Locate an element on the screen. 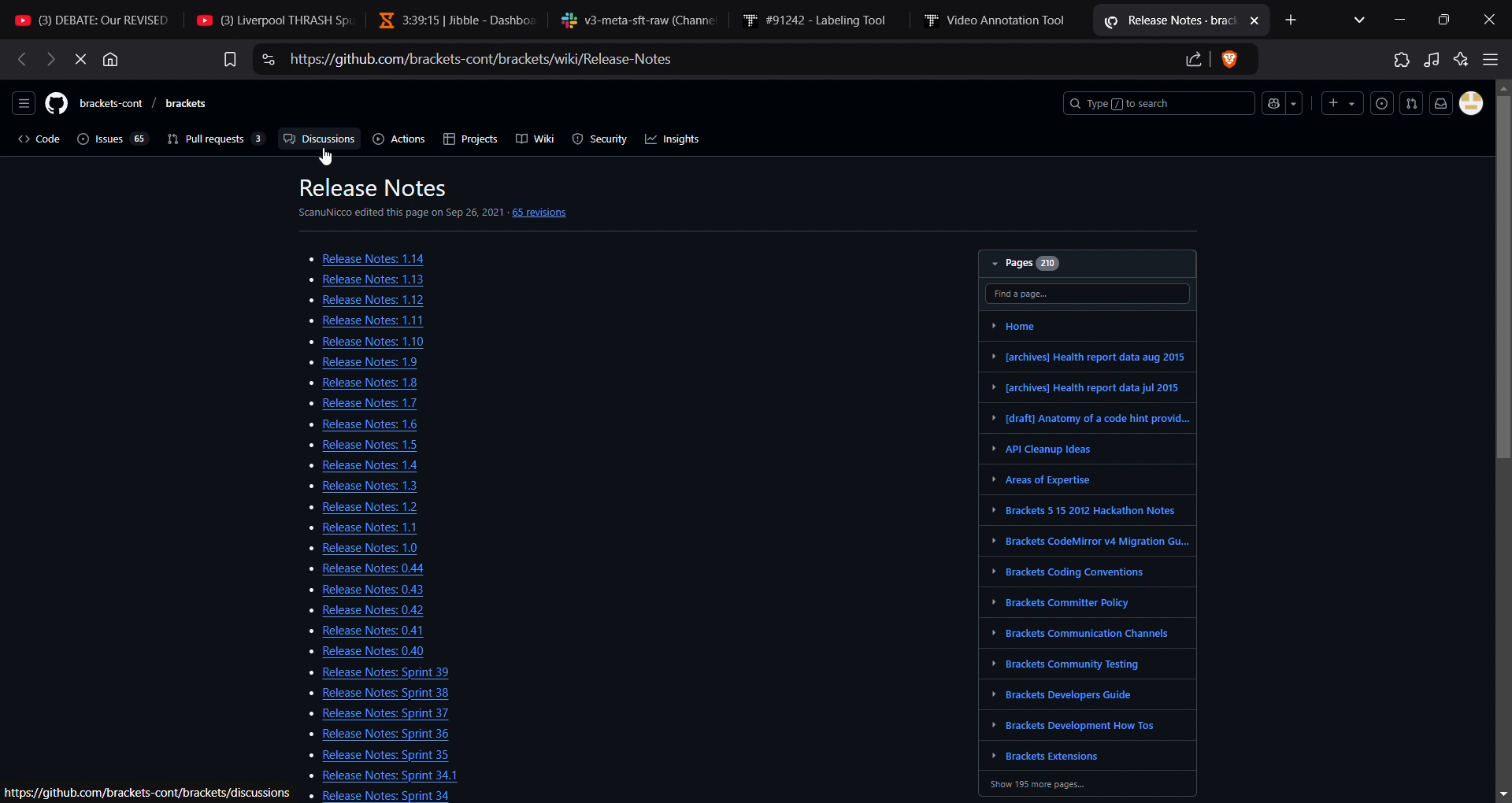 Image resolution: width=1512 pixels, height=803 pixels. o Release Notes: 1.13 is located at coordinates (343, 279).